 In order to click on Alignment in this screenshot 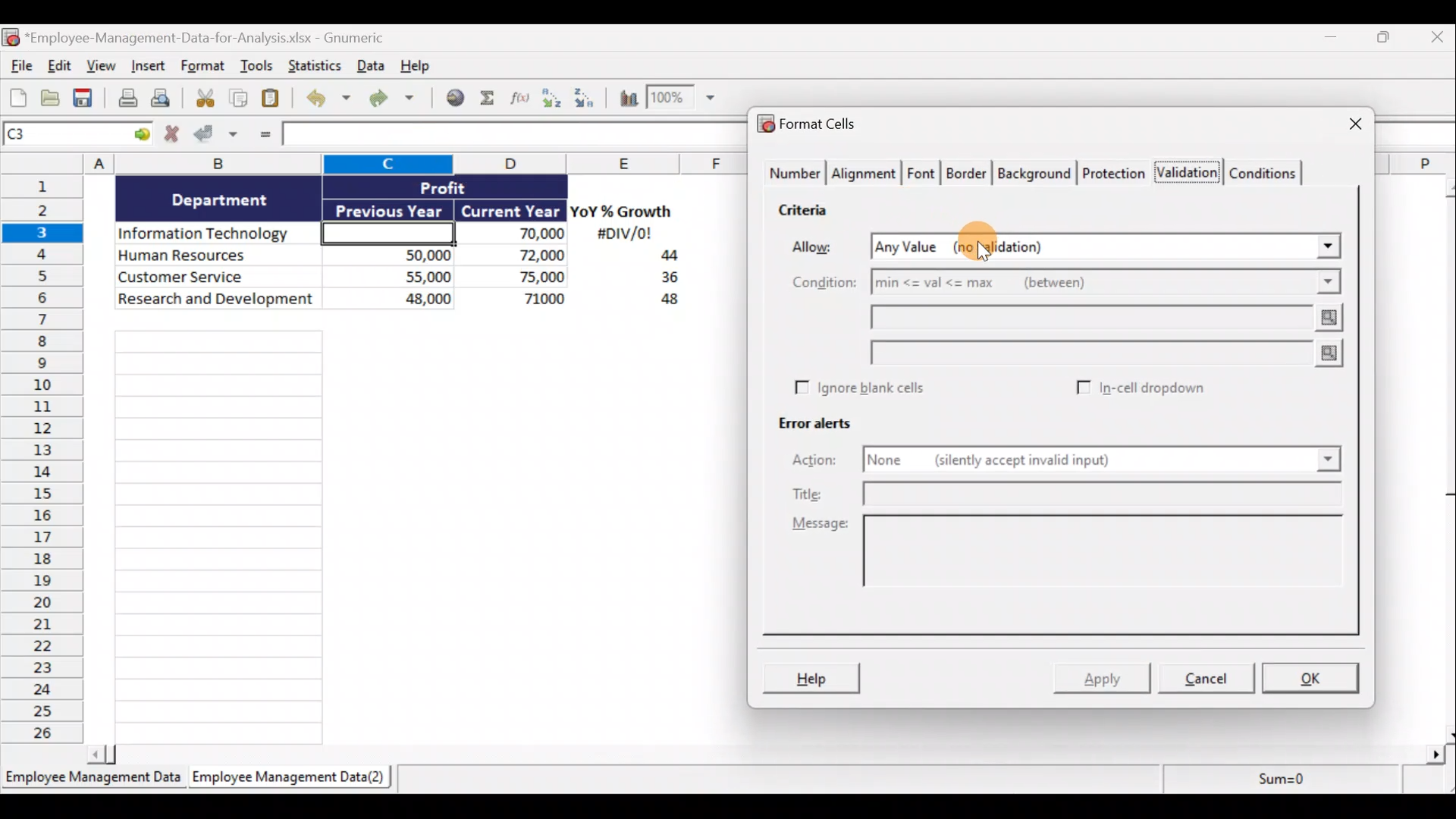, I will do `click(865, 174)`.